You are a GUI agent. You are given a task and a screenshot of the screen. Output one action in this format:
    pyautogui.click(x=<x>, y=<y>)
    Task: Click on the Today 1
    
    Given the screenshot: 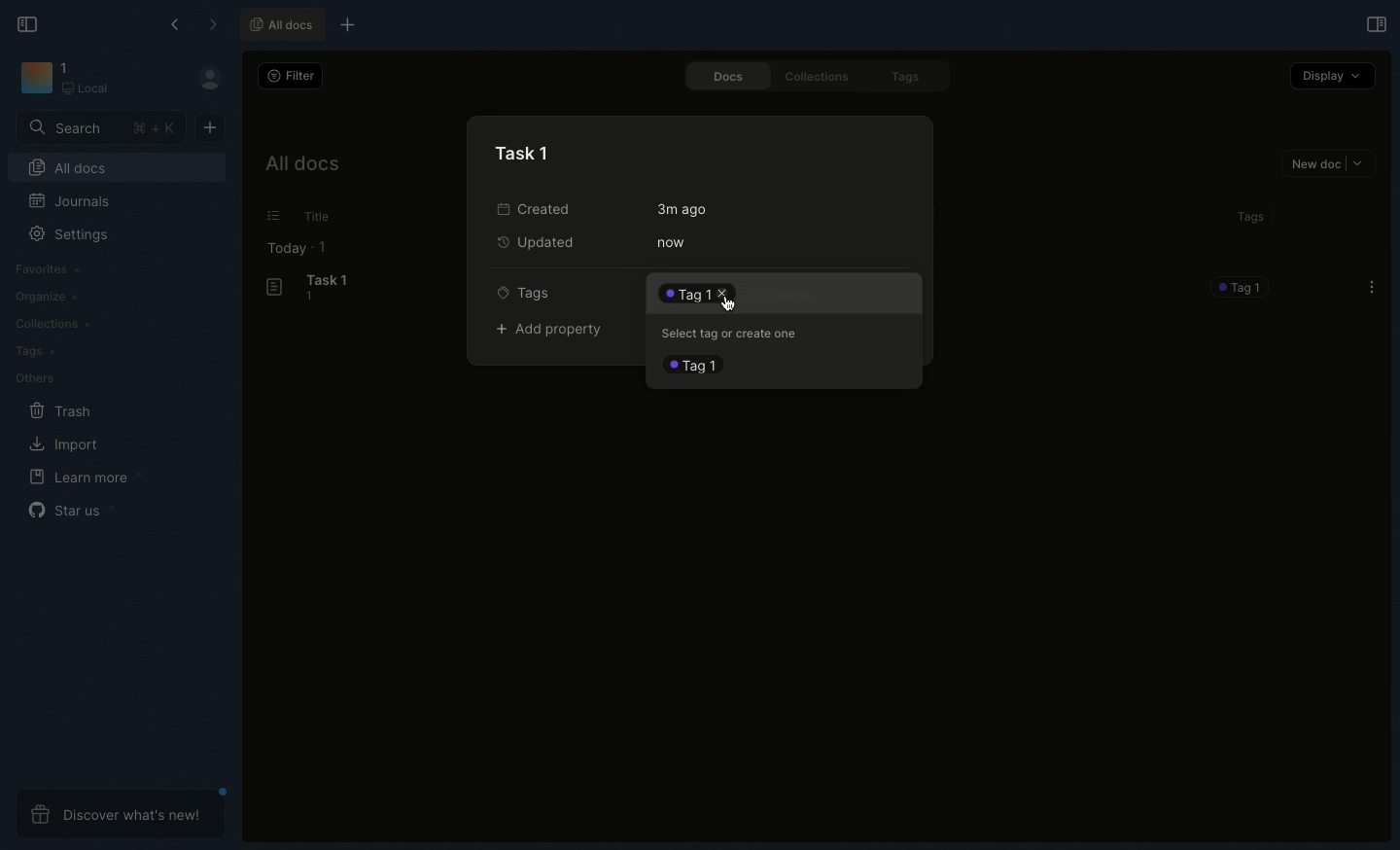 What is the action you would take?
    pyautogui.click(x=298, y=249)
    